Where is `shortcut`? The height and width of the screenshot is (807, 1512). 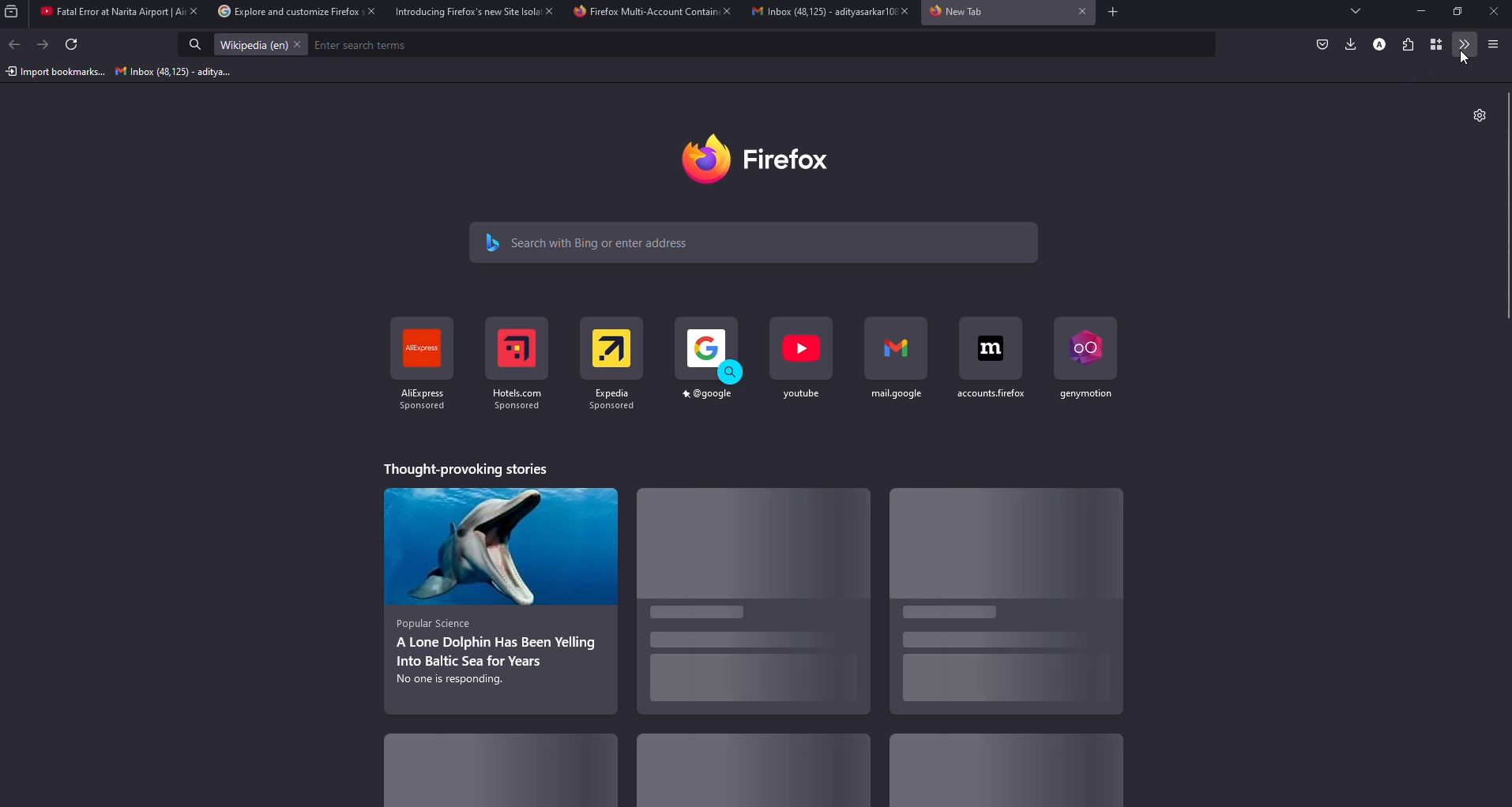 shortcut is located at coordinates (897, 359).